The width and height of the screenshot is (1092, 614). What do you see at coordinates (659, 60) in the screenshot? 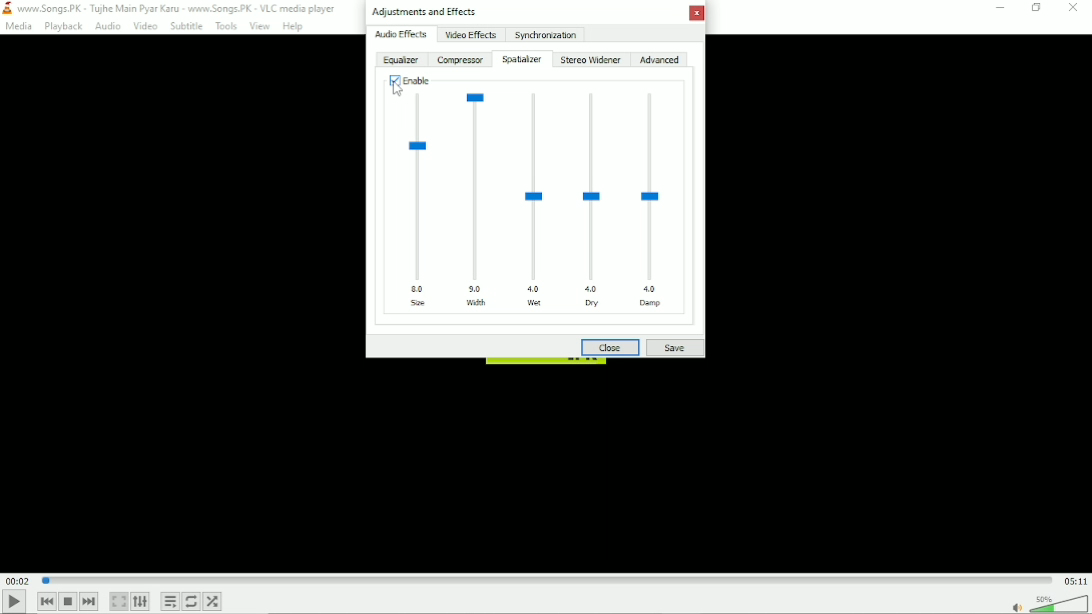
I see `Advanced` at bounding box center [659, 60].